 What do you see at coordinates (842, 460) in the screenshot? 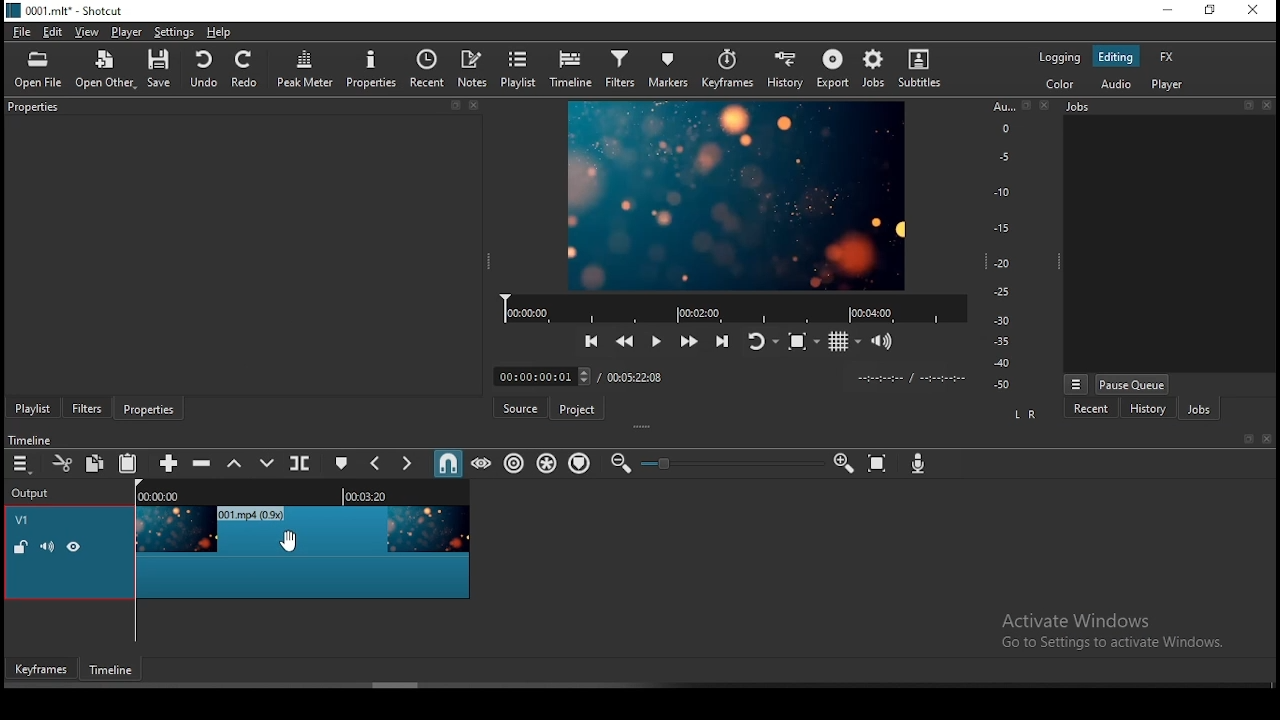
I see `zoom timeline In` at bounding box center [842, 460].